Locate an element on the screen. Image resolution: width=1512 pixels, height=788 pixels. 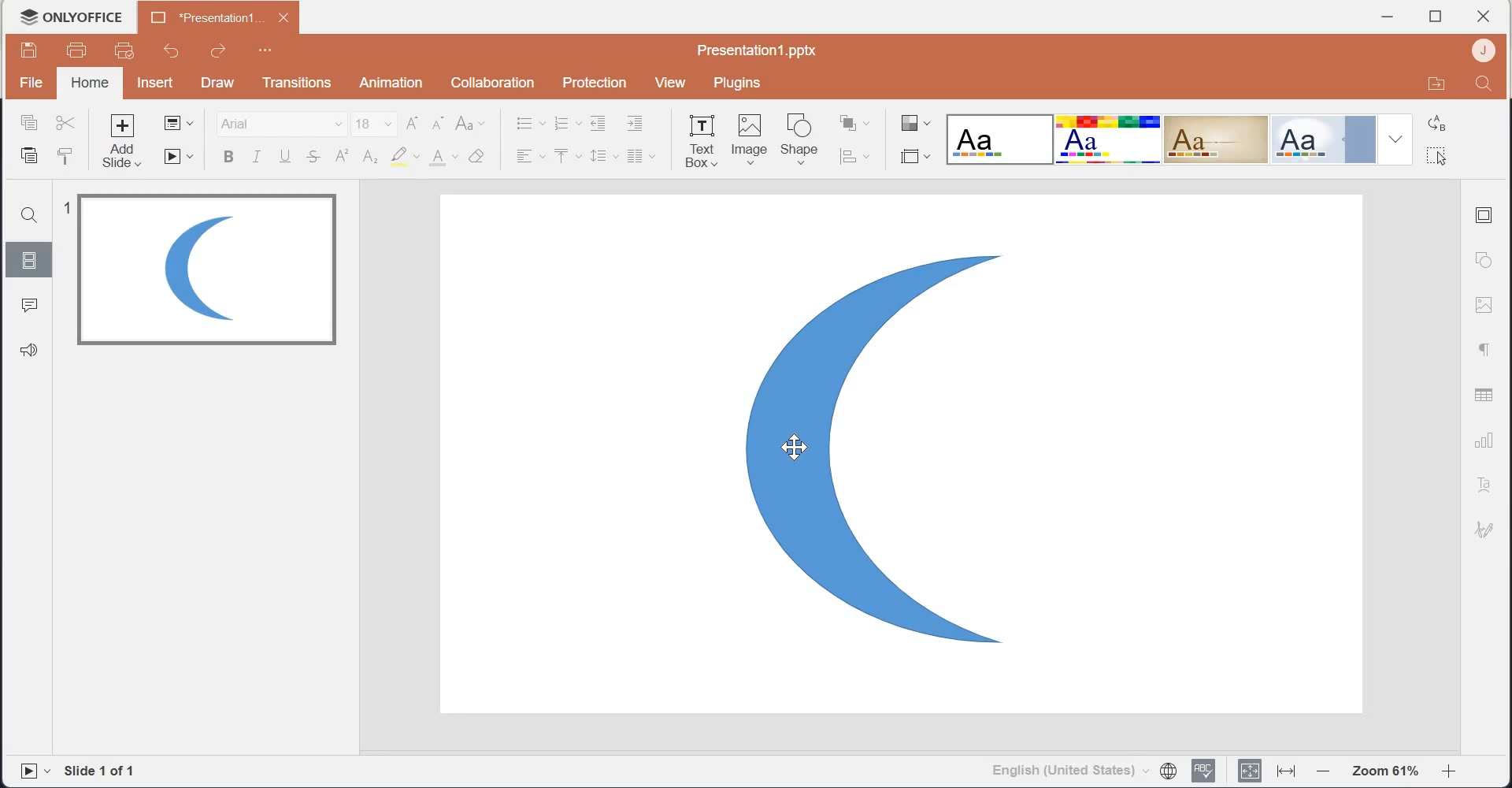
Add slide is located at coordinates (127, 142).